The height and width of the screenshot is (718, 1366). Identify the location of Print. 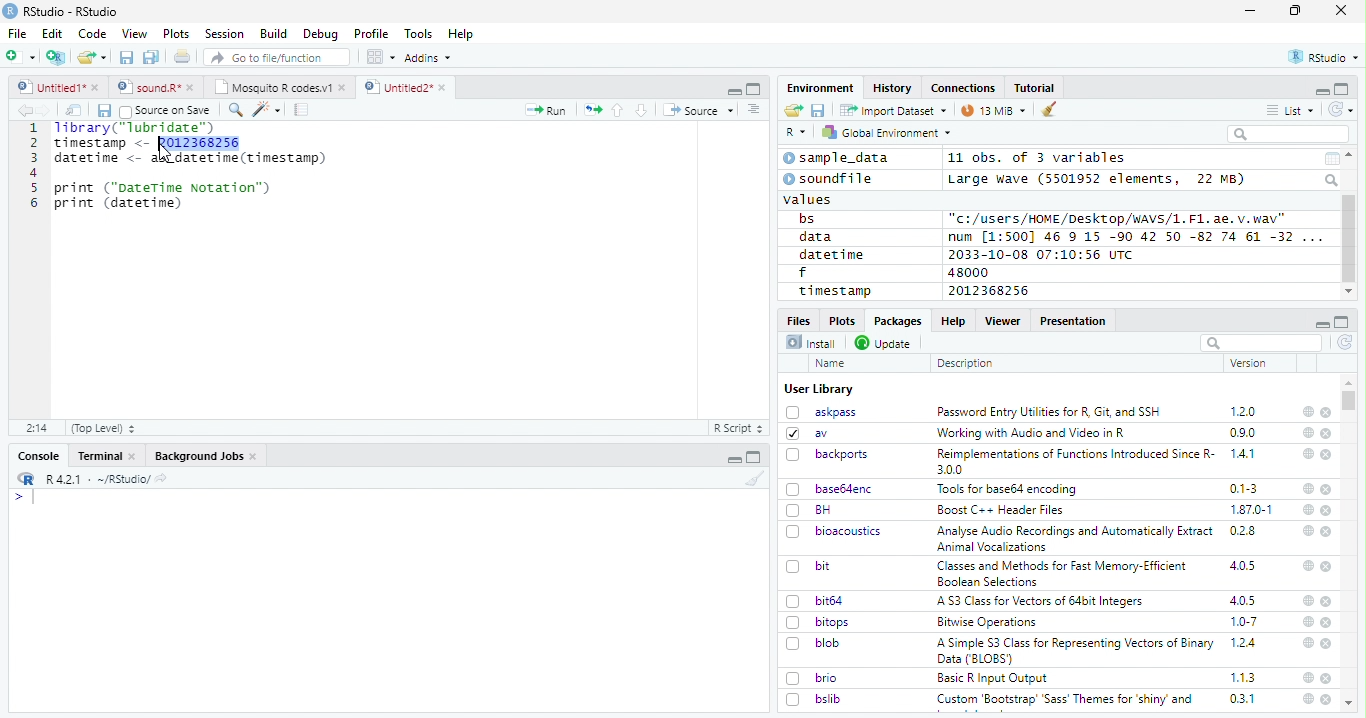
(183, 56).